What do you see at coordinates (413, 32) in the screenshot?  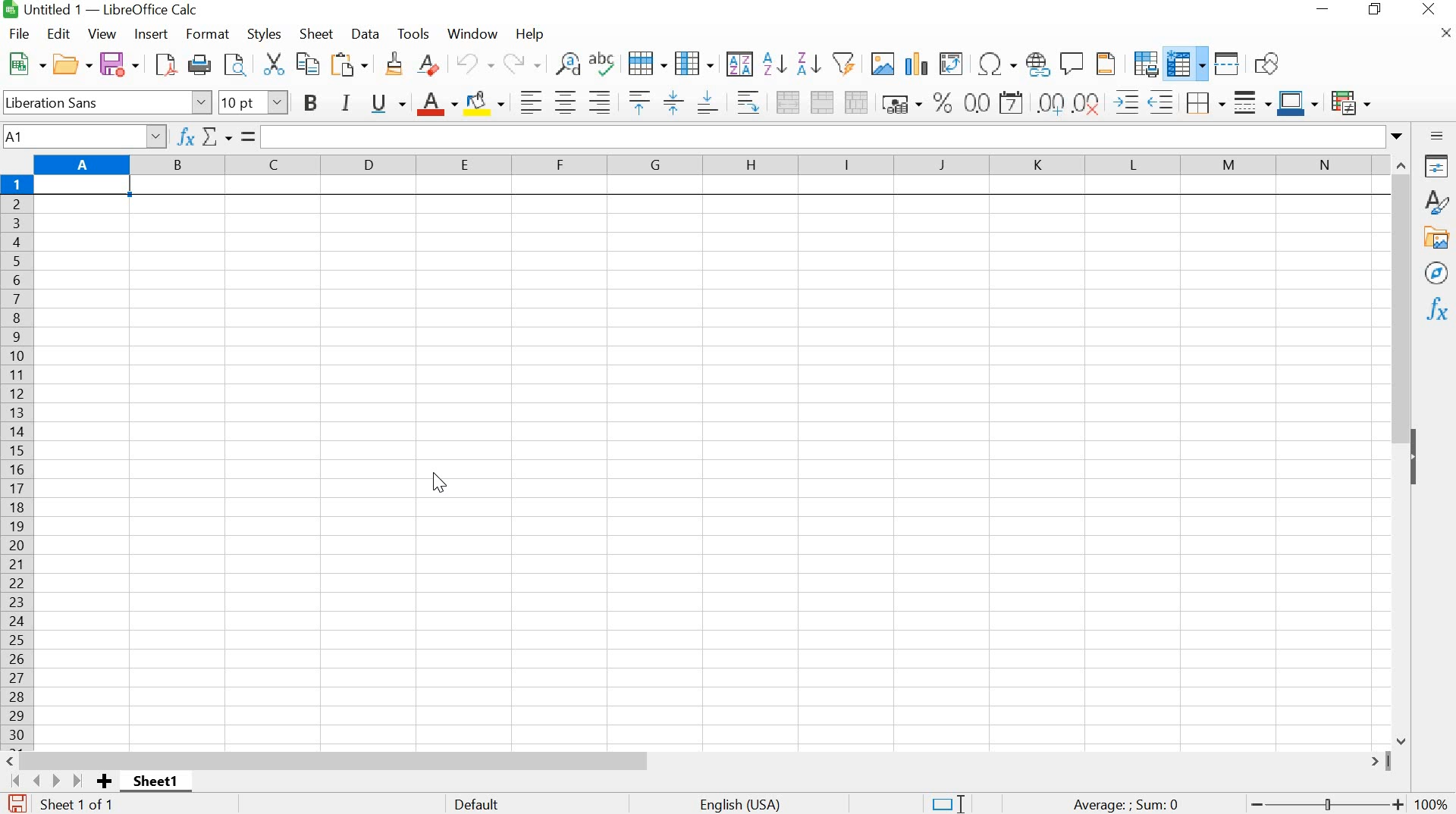 I see `TOOLS` at bounding box center [413, 32].